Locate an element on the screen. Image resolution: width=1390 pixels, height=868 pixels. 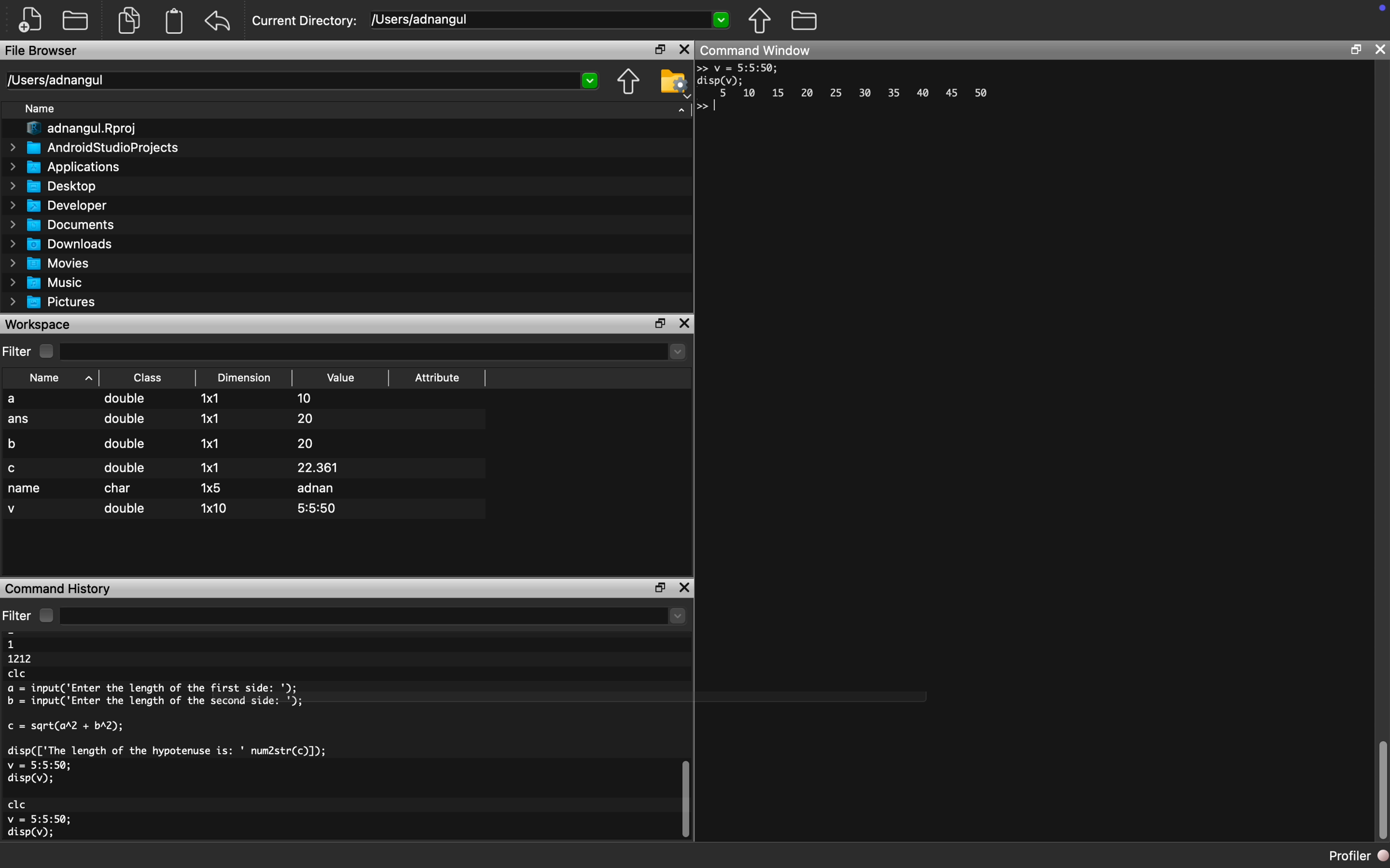
scroll bar is located at coordinates (1382, 789).